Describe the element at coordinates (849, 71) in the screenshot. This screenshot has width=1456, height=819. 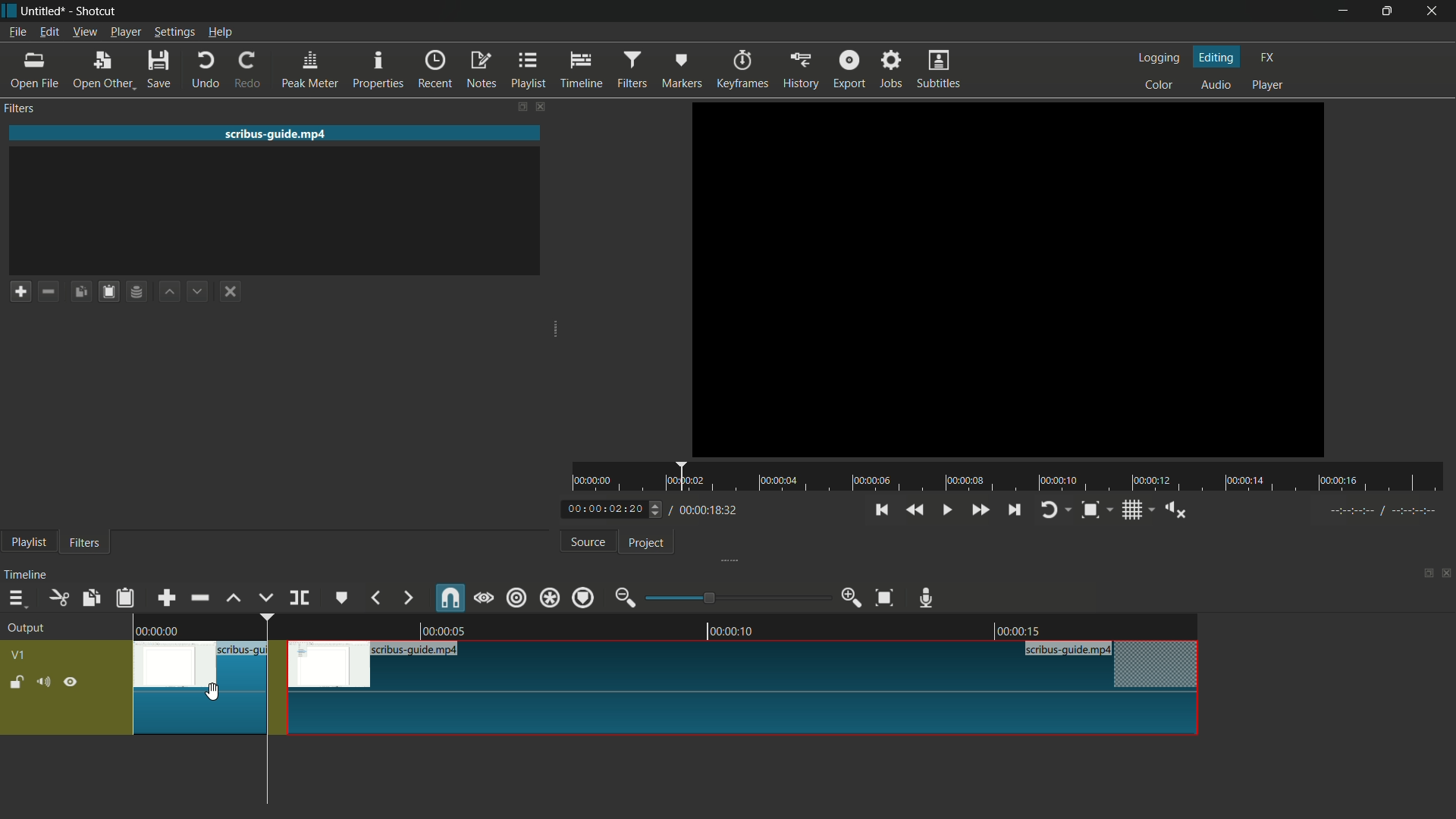
I see `export` at that location.